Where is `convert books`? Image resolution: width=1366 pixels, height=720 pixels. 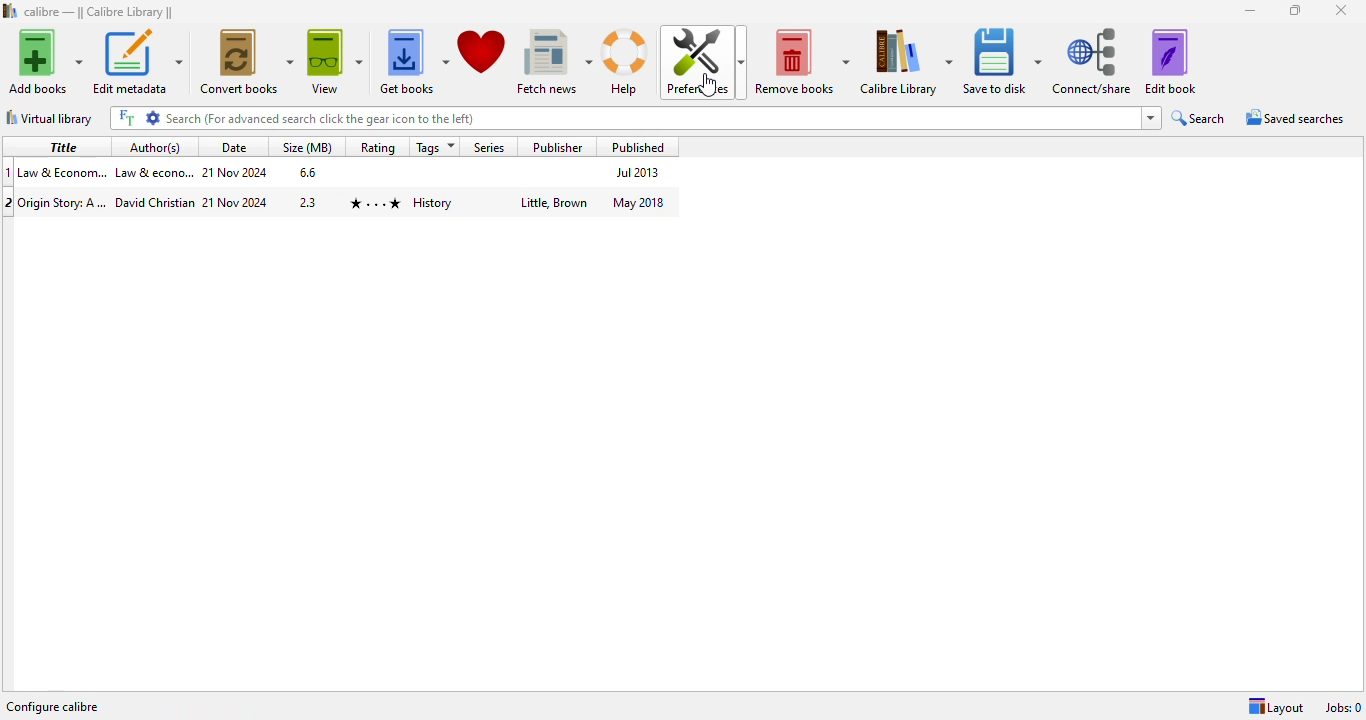
convert books is located at coordinates (246, 62).